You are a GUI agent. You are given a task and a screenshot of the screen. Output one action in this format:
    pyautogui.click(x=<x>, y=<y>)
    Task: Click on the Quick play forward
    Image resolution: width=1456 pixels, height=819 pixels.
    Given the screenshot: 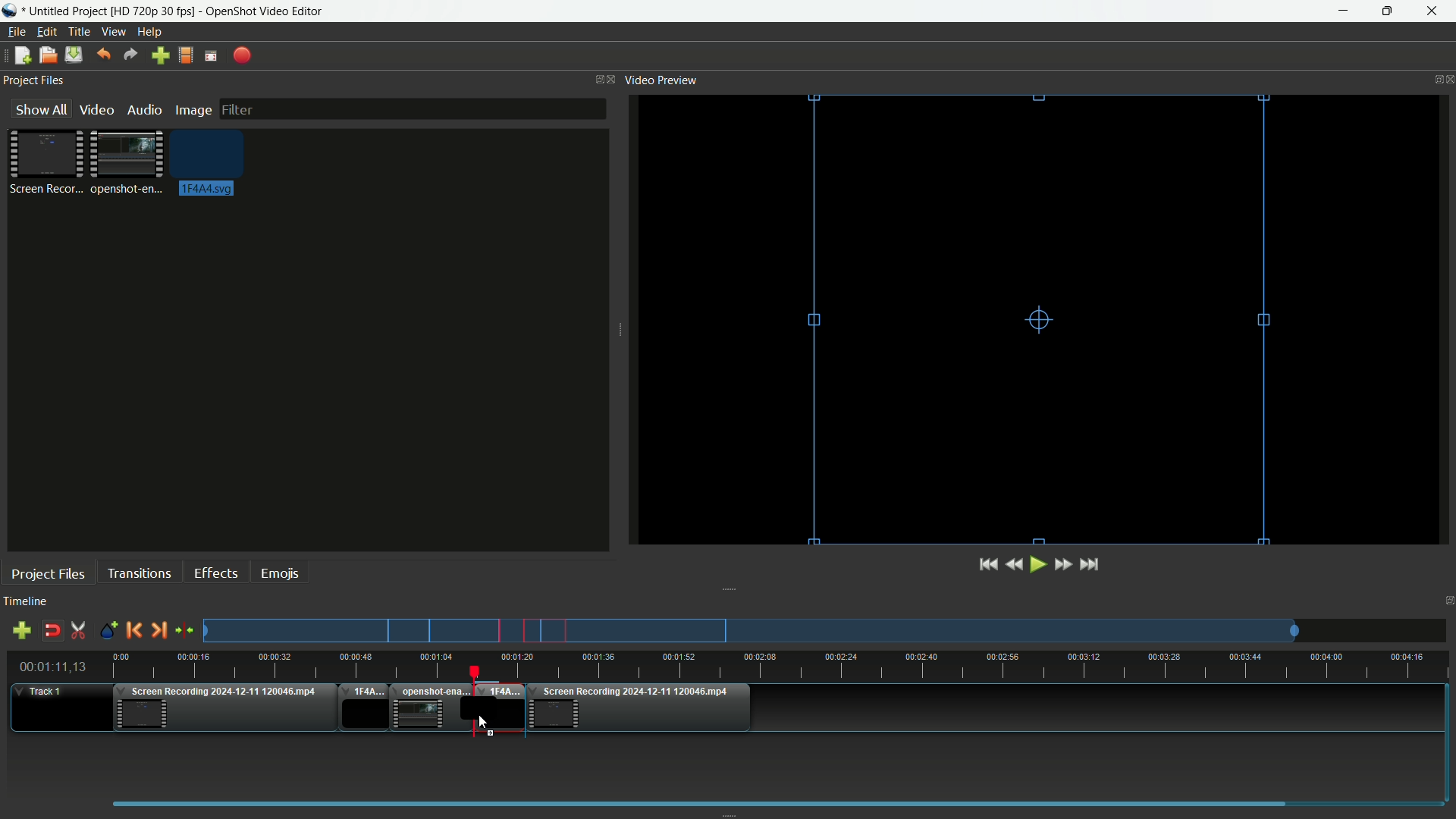 What is the action you would take?
    pyautogui.click(x=1062, y=564)
    